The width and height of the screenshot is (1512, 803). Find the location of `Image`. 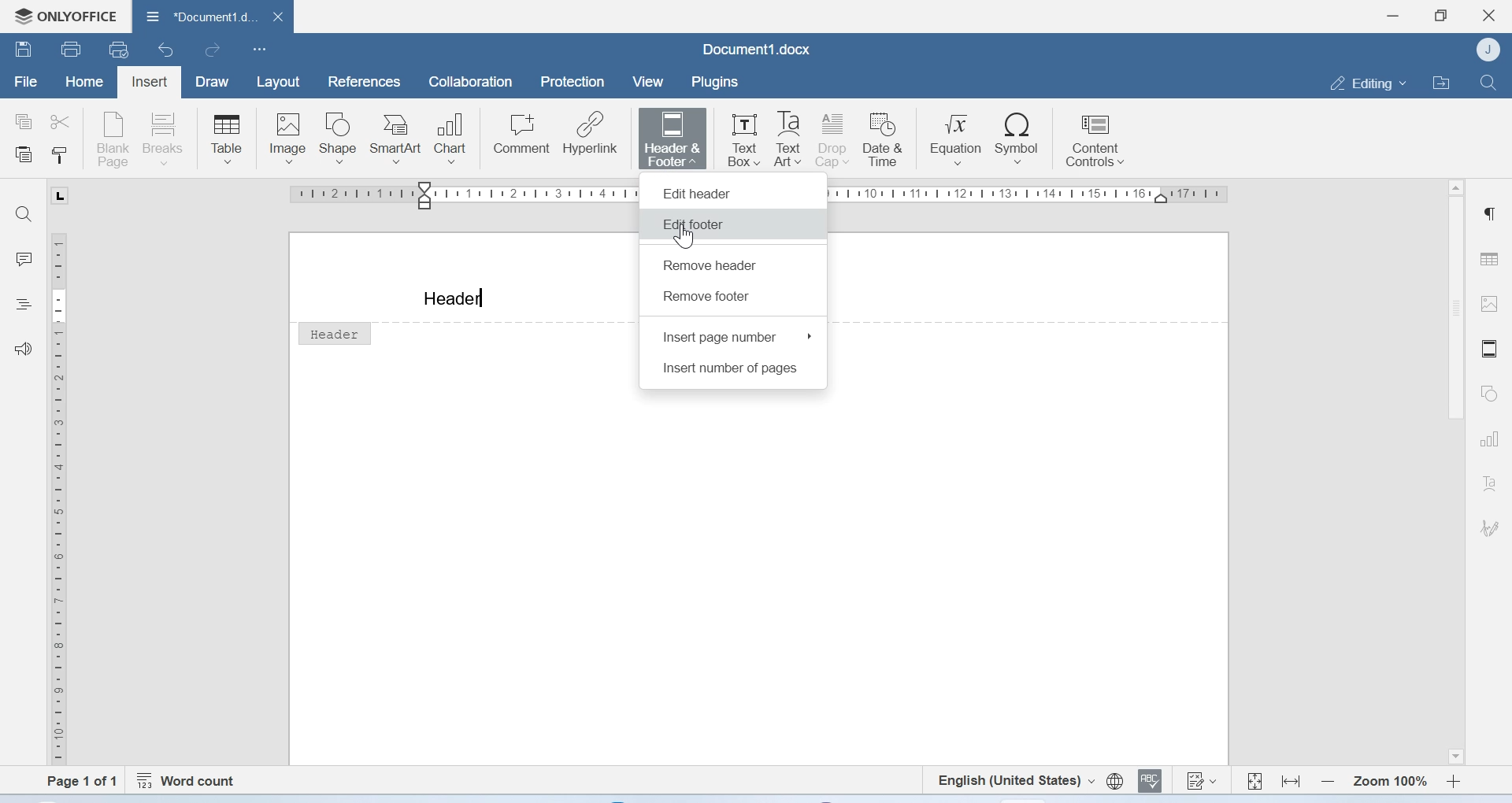

Image is located at coordinates (287, 137).